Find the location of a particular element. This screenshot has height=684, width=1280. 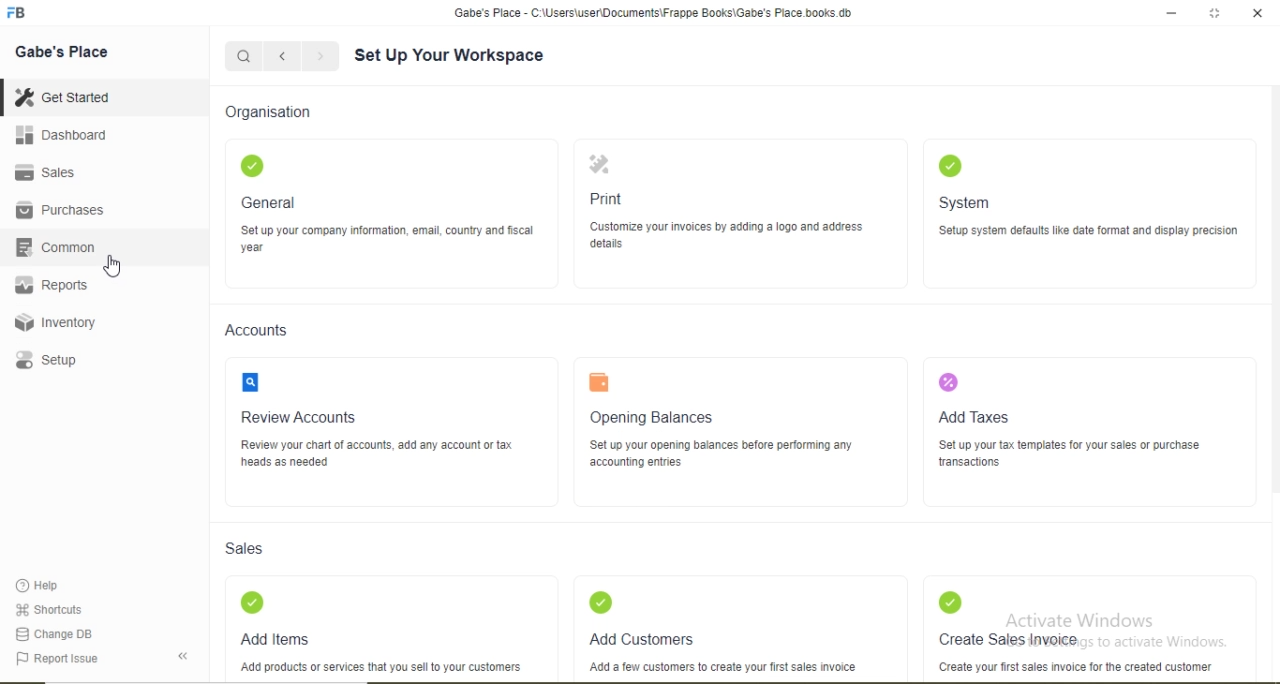

Setup yoursy company information. email\. email. country and fiscal year is located at coordinates (387, 239).